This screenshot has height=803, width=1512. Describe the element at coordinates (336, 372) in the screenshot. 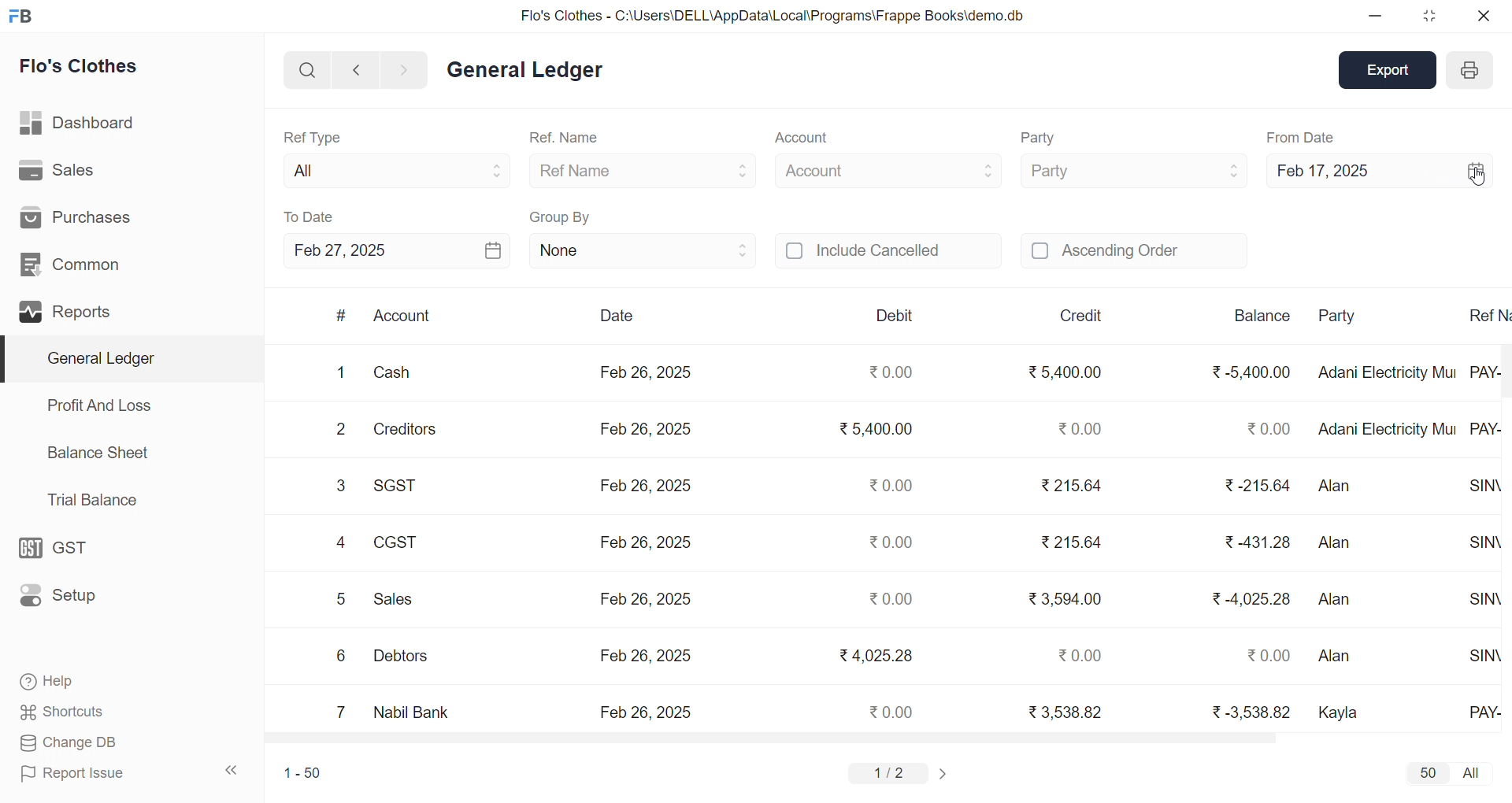

I see `1` at that location.